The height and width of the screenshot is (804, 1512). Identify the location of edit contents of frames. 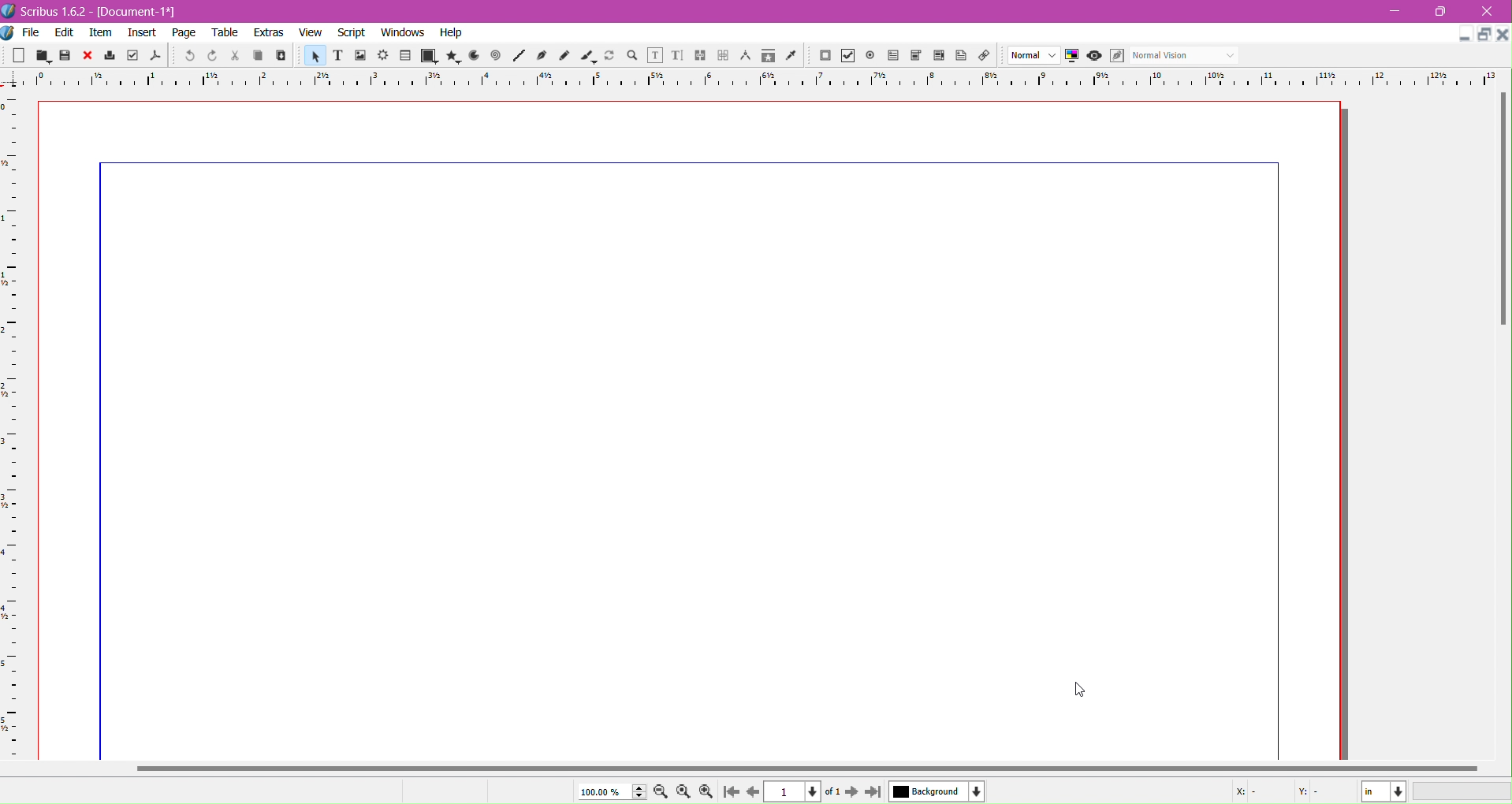
(654, 56).